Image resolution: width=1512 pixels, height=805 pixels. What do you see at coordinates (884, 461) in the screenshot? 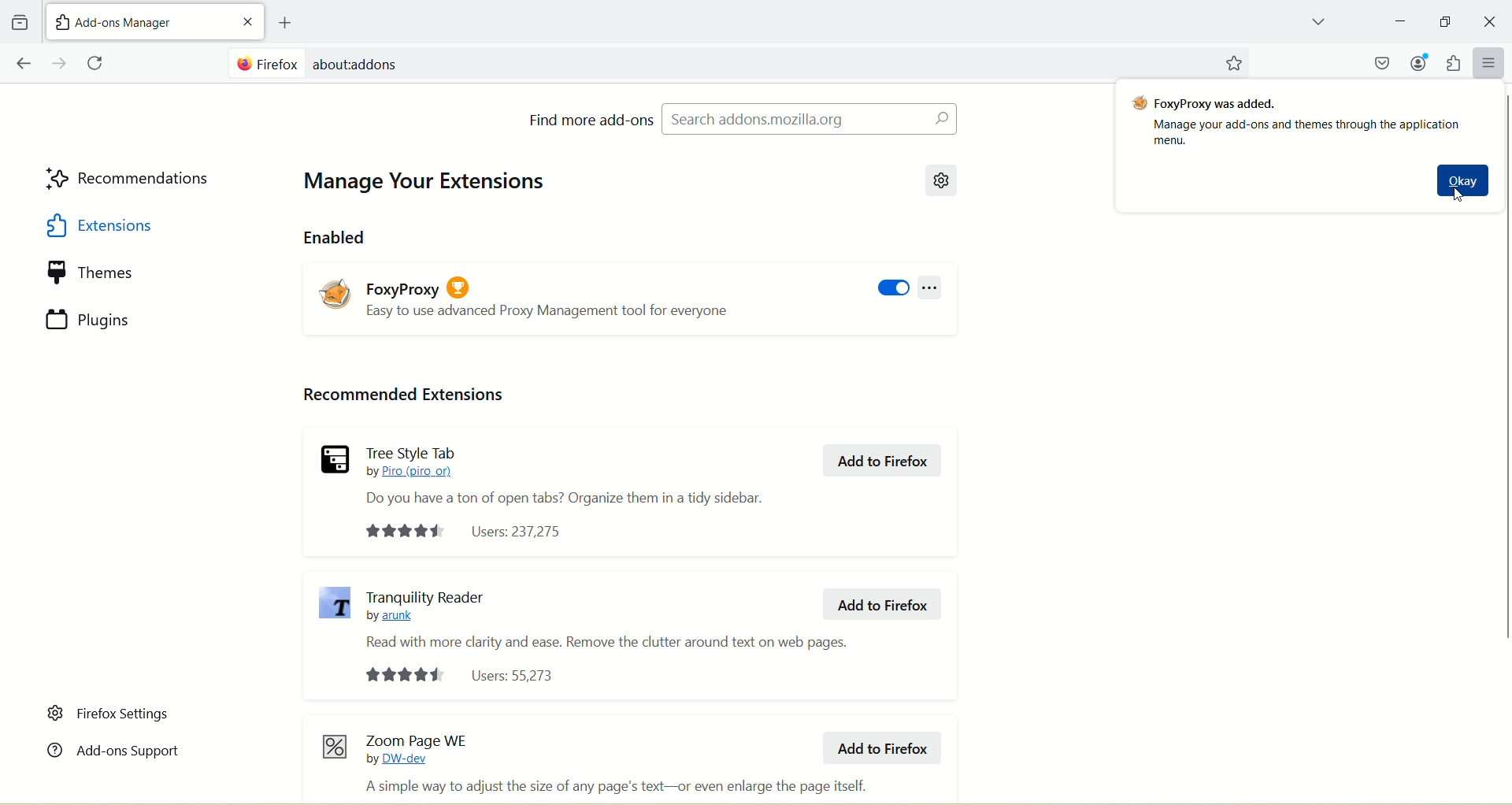
I see `Add to firefox` at bounding box center [884, 461].